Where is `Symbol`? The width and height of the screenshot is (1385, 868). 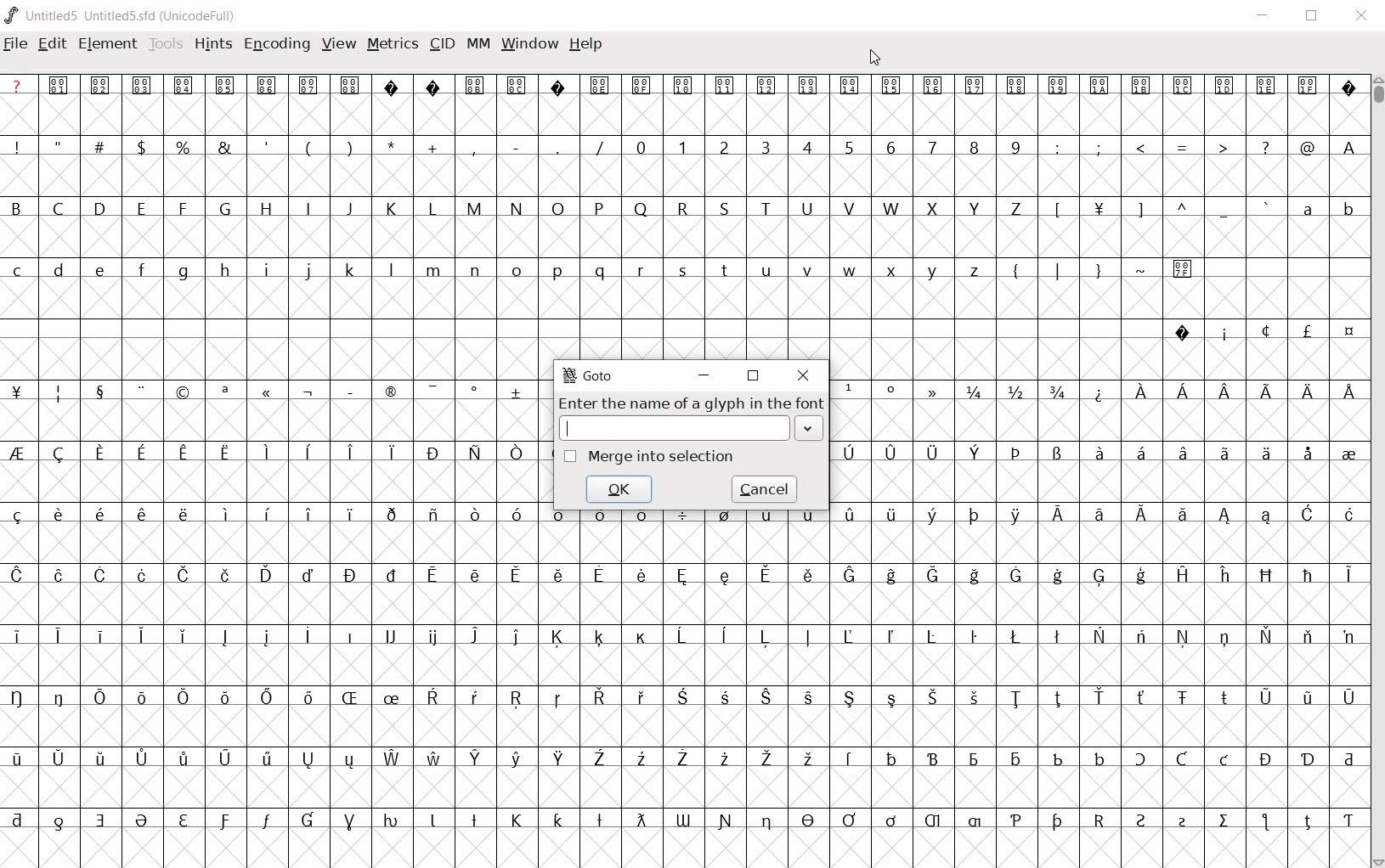
Symbol is located at coordinates (809, 759).